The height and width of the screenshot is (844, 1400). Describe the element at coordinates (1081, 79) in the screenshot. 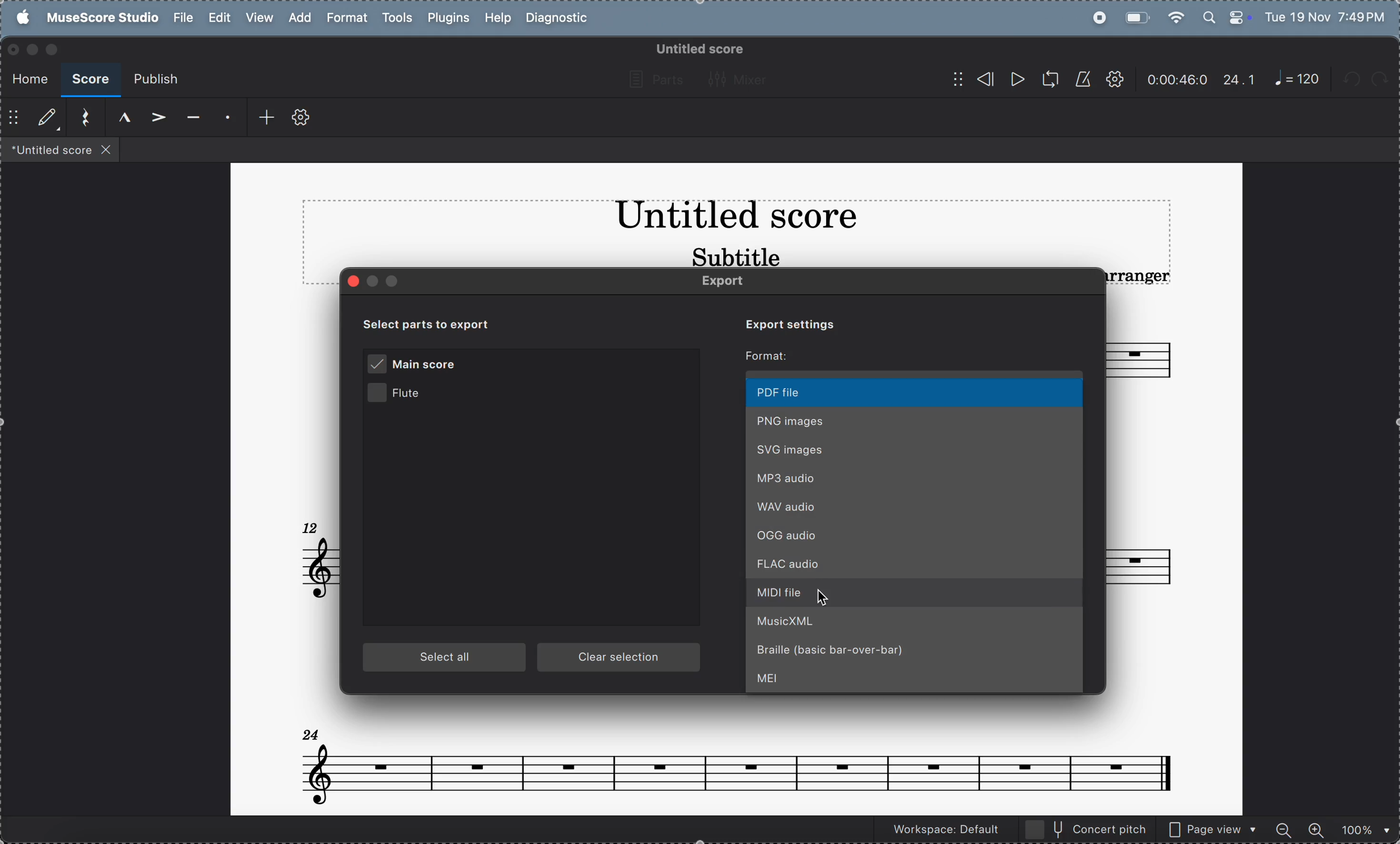

I see `metronnome` at that location.